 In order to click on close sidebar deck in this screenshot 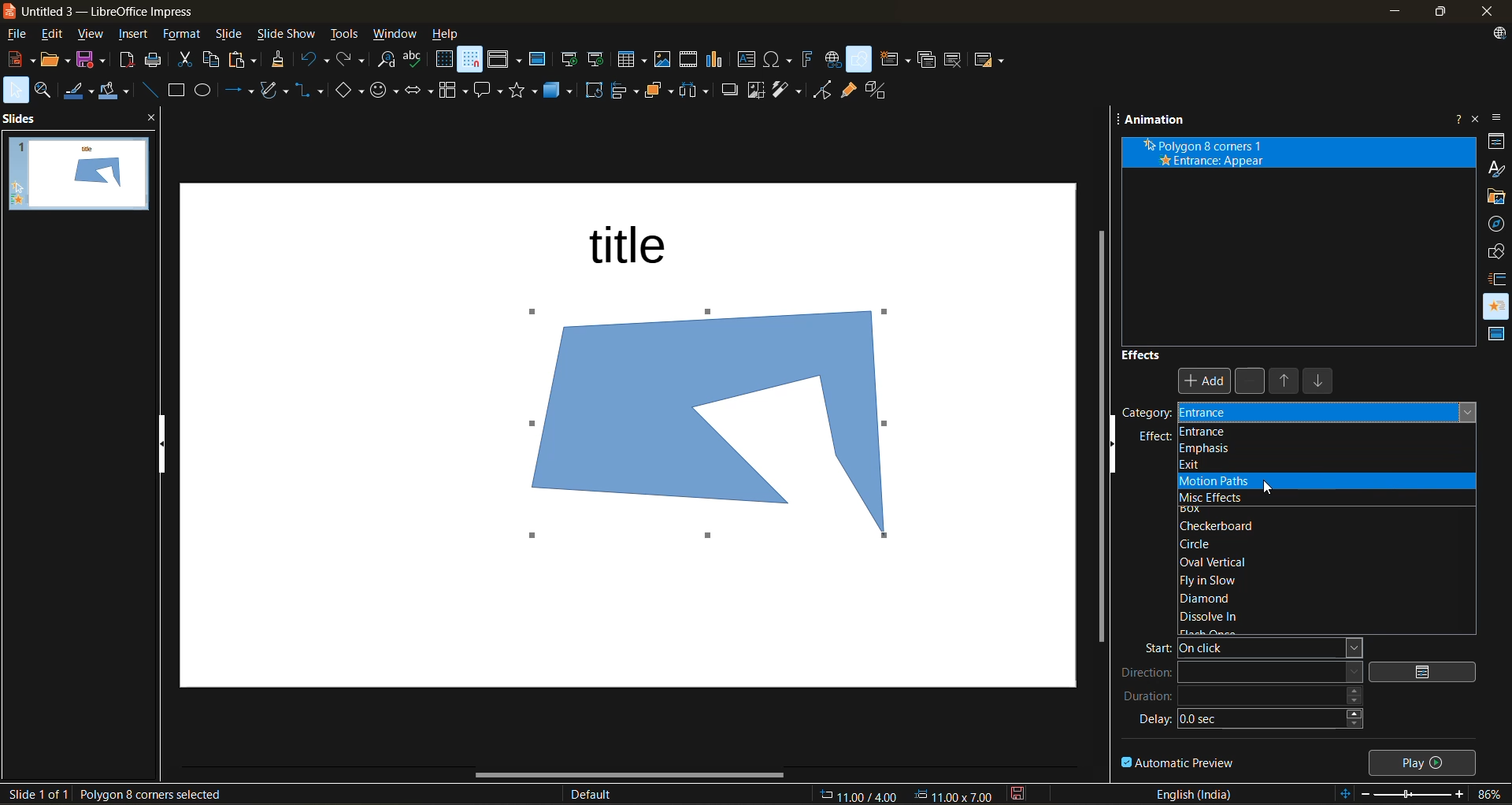, I will do `click(1478, 117)`.